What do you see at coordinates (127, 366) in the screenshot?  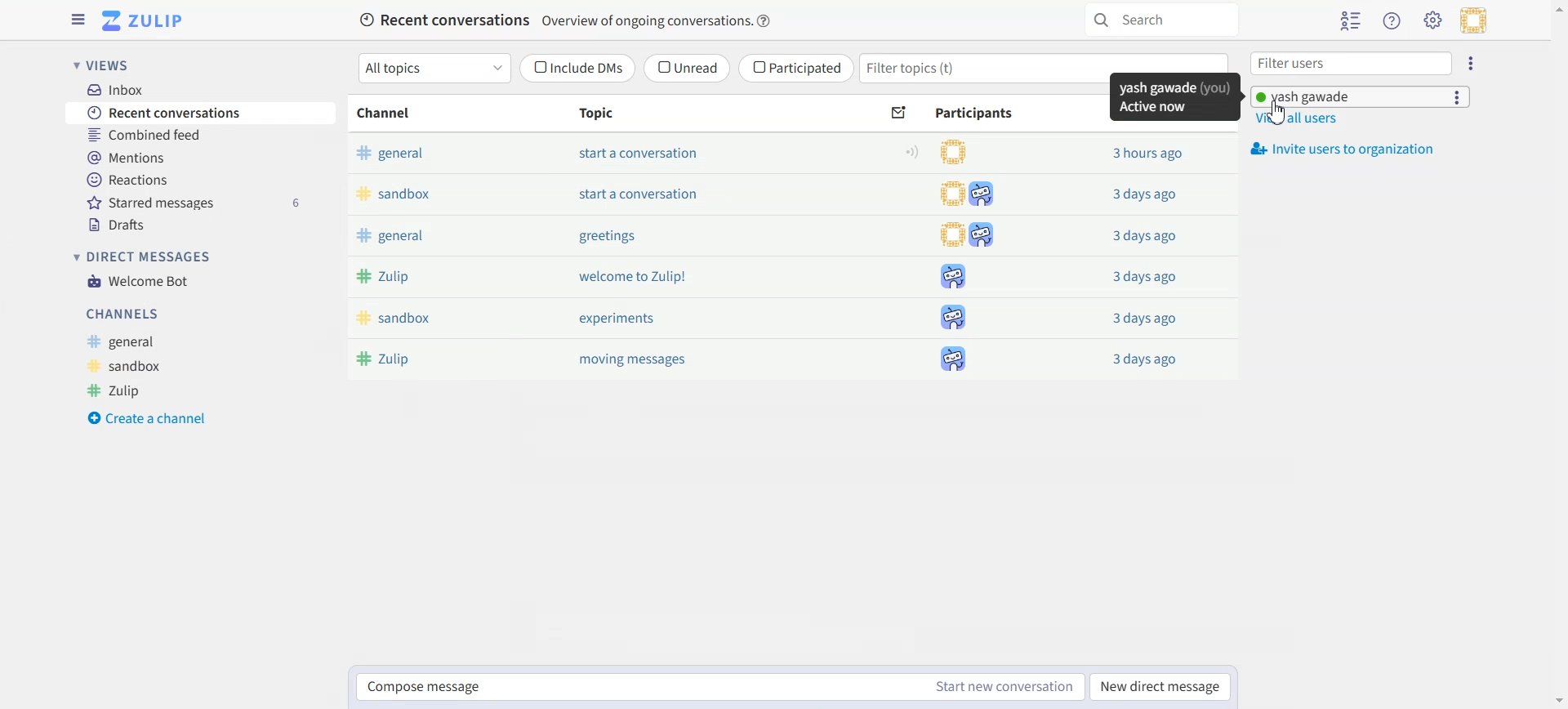 I see `Sandbox` at bounding box center [127, 366].